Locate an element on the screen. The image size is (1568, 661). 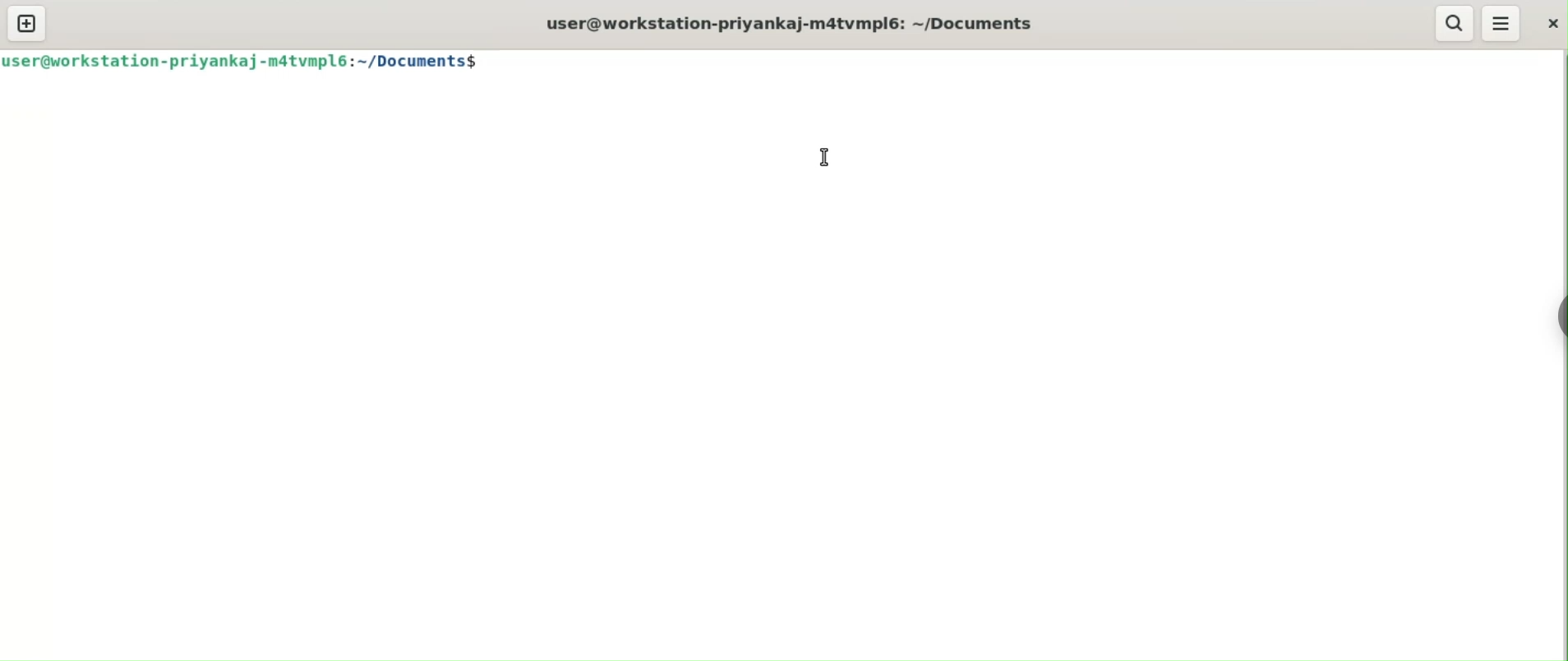
menu is located at coordinates (1502, 23).